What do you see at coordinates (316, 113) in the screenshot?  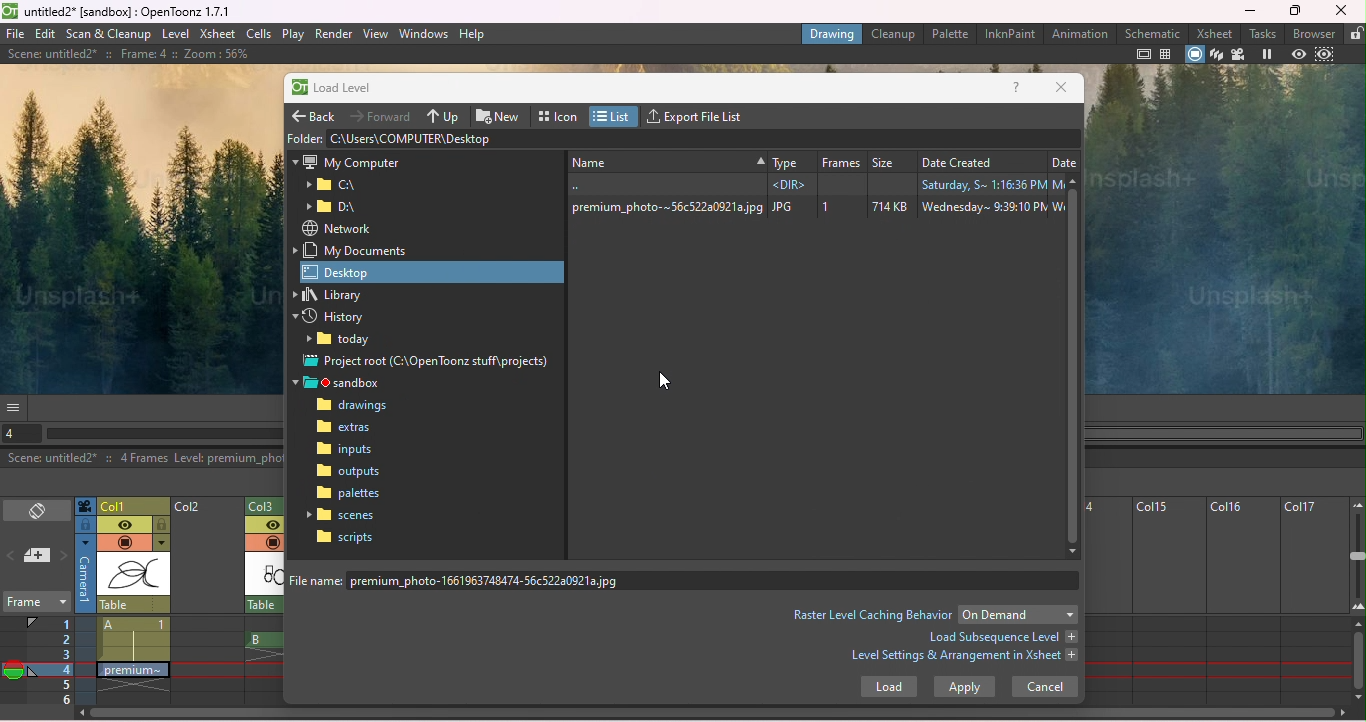 I see `Back` at bounding box center [316, 113].